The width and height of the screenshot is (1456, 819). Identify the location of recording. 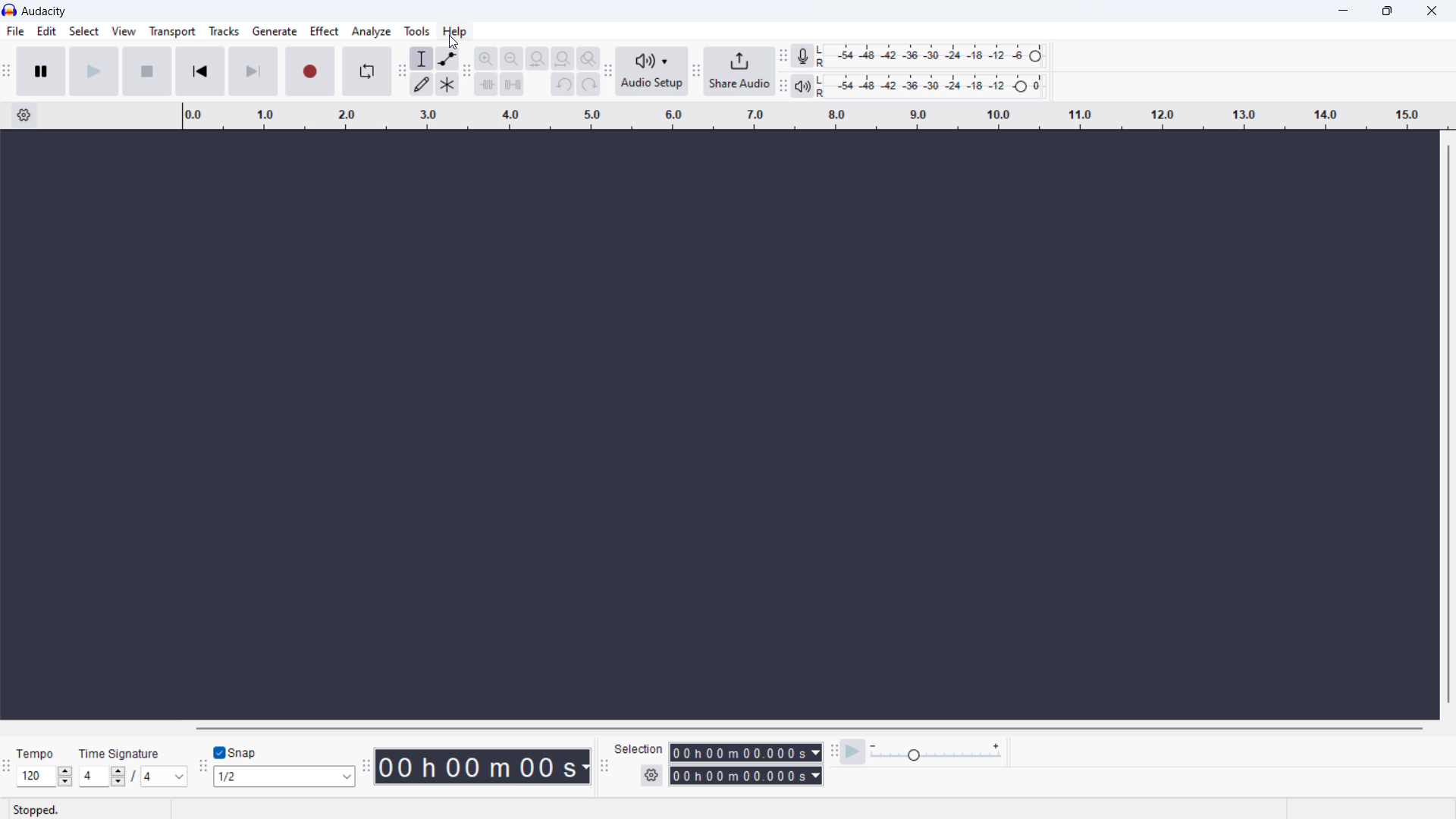
(310, 71).